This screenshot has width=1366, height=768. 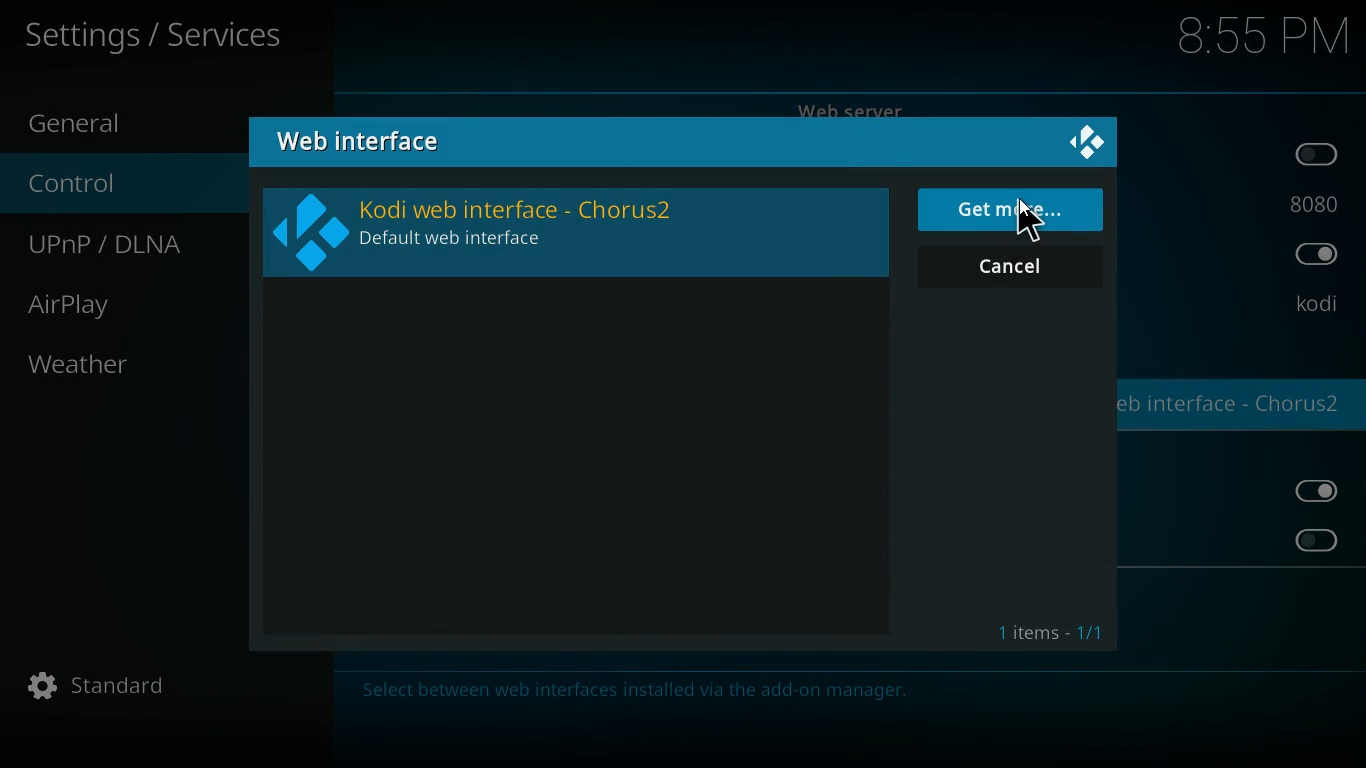 What do you see at coordinates (107, 687) in the screenshot?
I see `standard` at bounding box center [107, 687].